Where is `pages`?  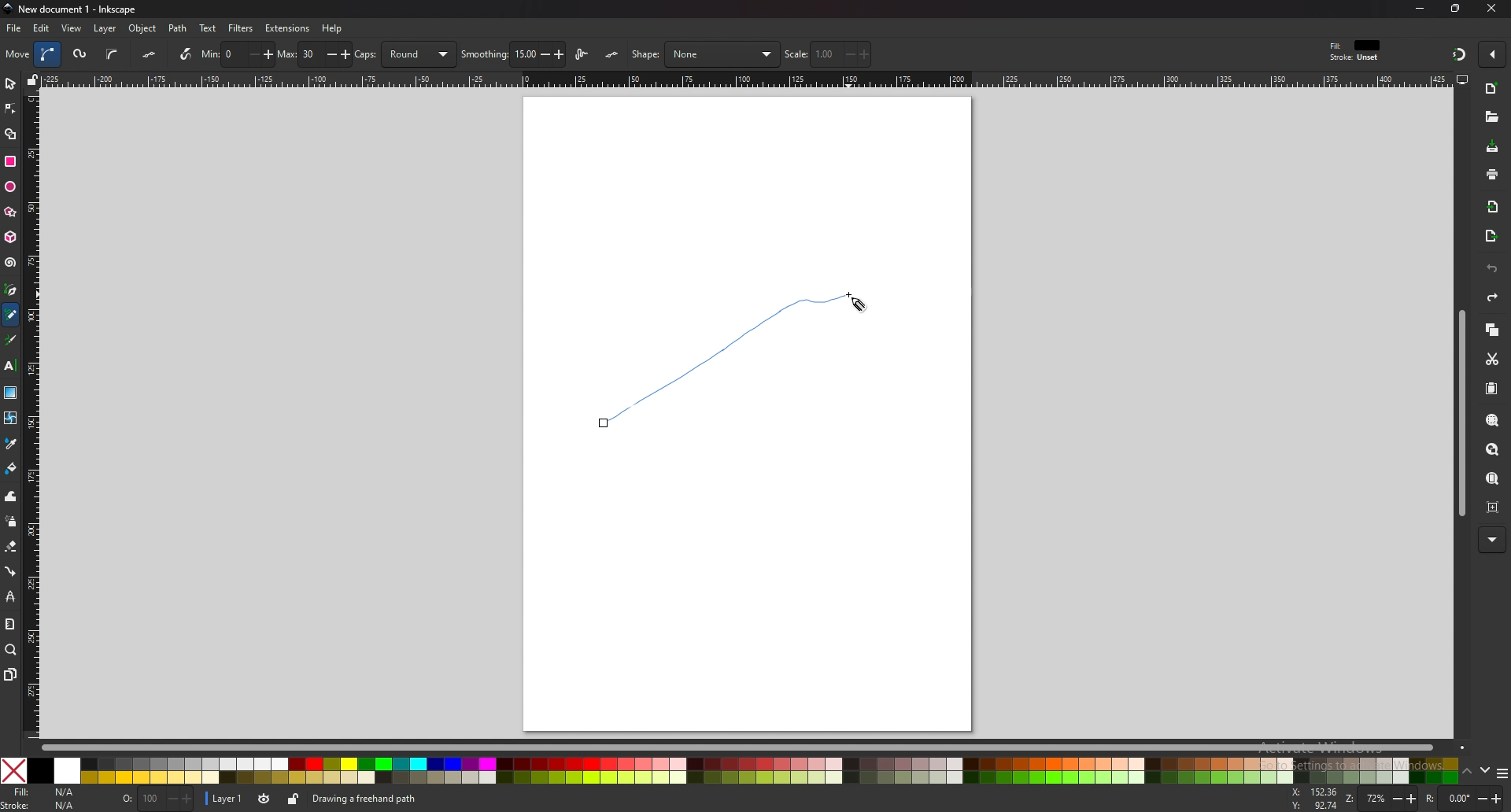 pages is located at coordinates (9, 674).